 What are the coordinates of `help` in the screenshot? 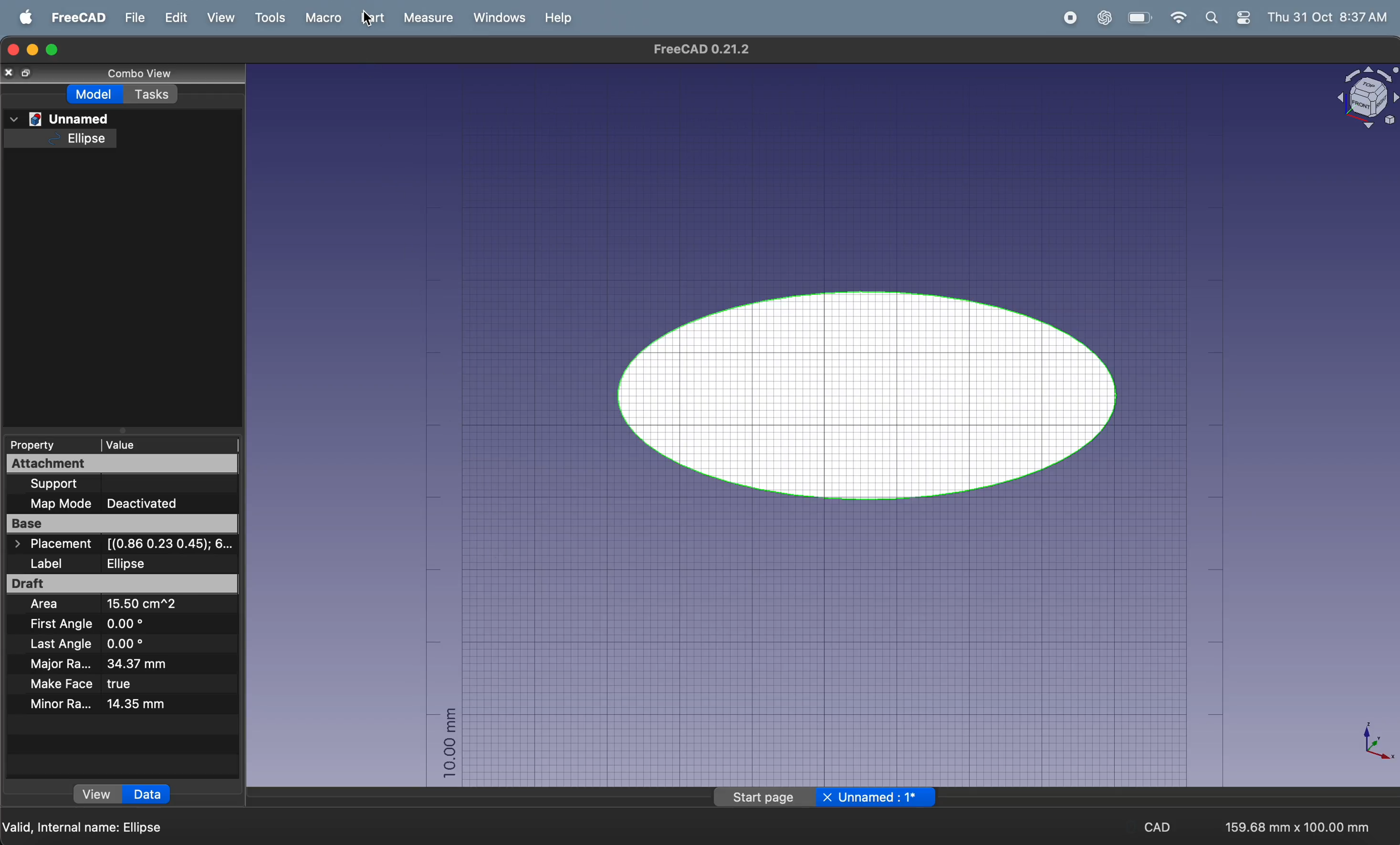 It's located at (561, 17).